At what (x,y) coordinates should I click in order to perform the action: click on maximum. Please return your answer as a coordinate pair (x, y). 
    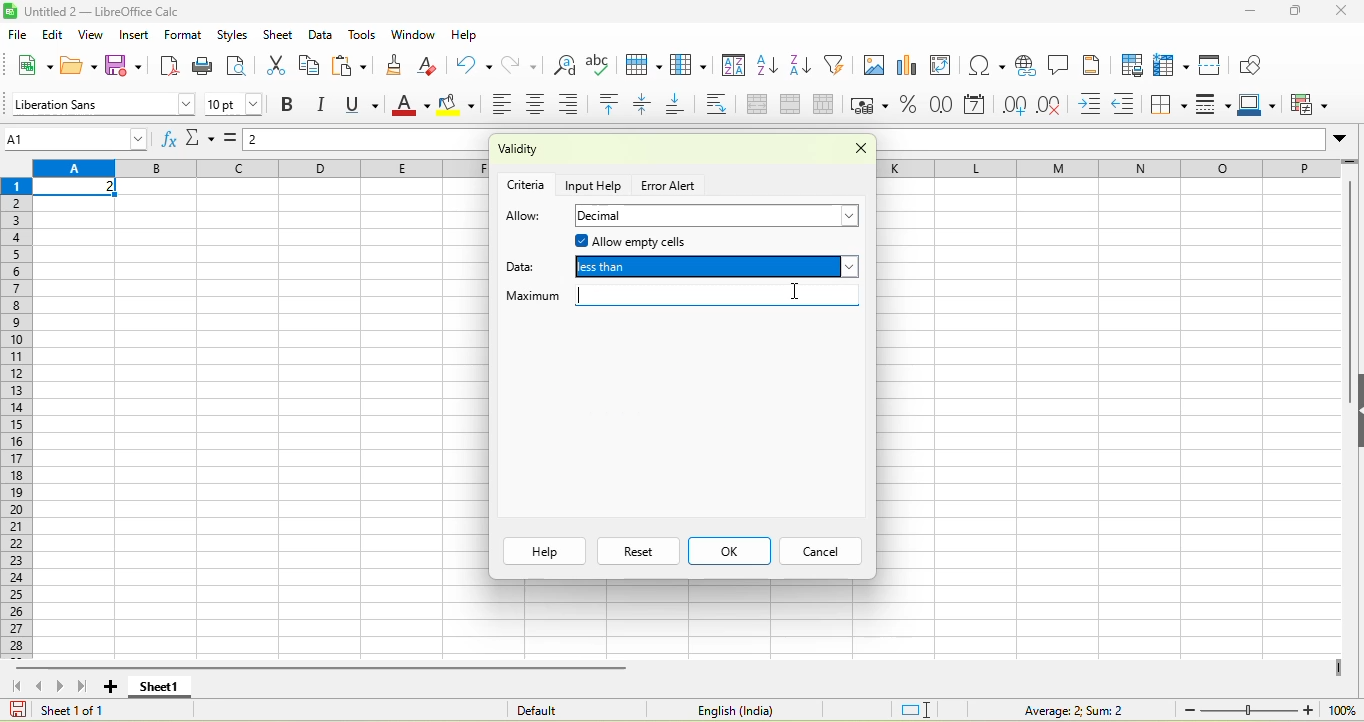
    Looking at the image, I should click on (680, 298).